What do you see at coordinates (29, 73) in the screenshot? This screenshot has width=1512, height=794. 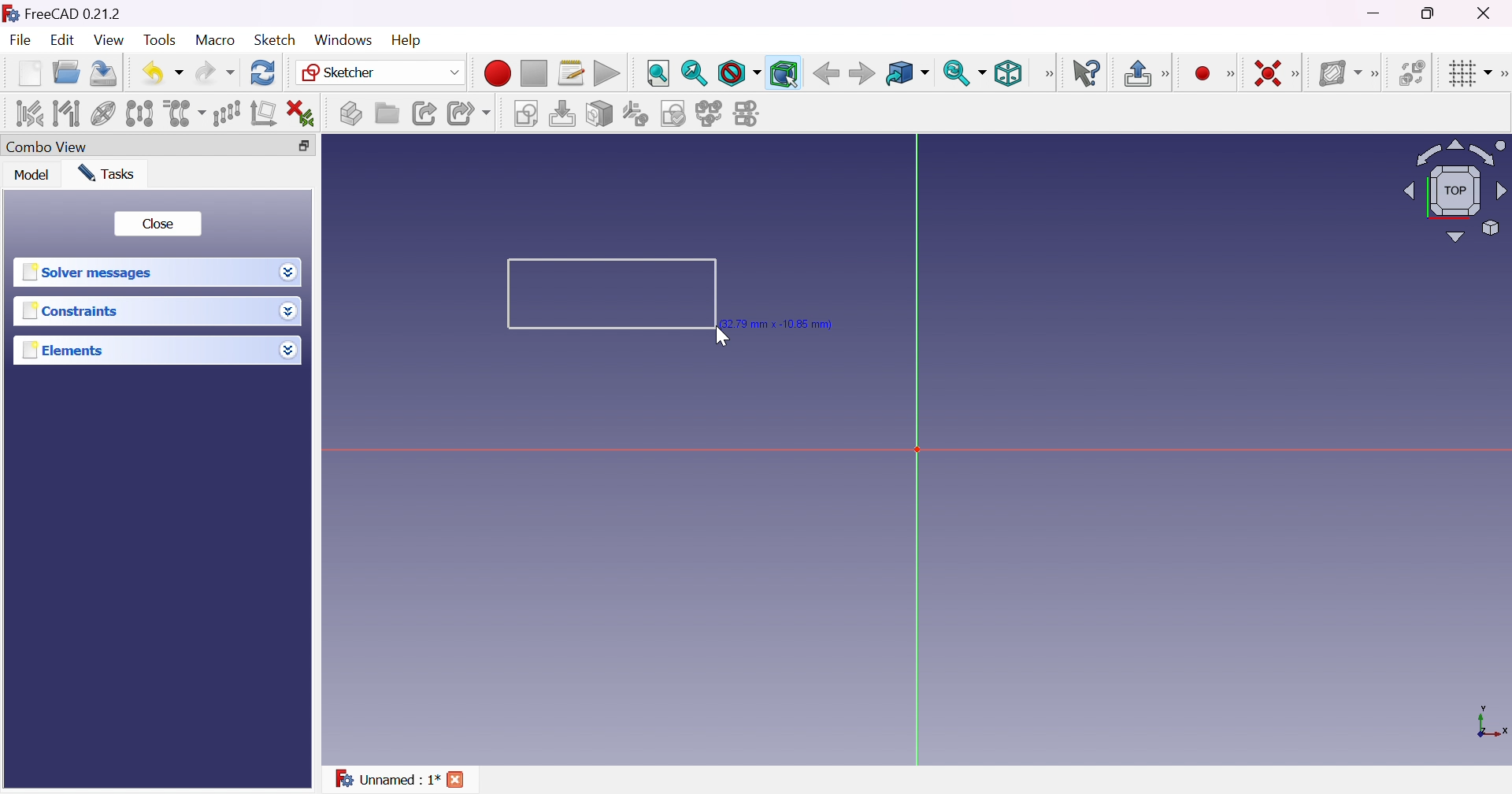 I see `New` at bounding box center [29, 73].